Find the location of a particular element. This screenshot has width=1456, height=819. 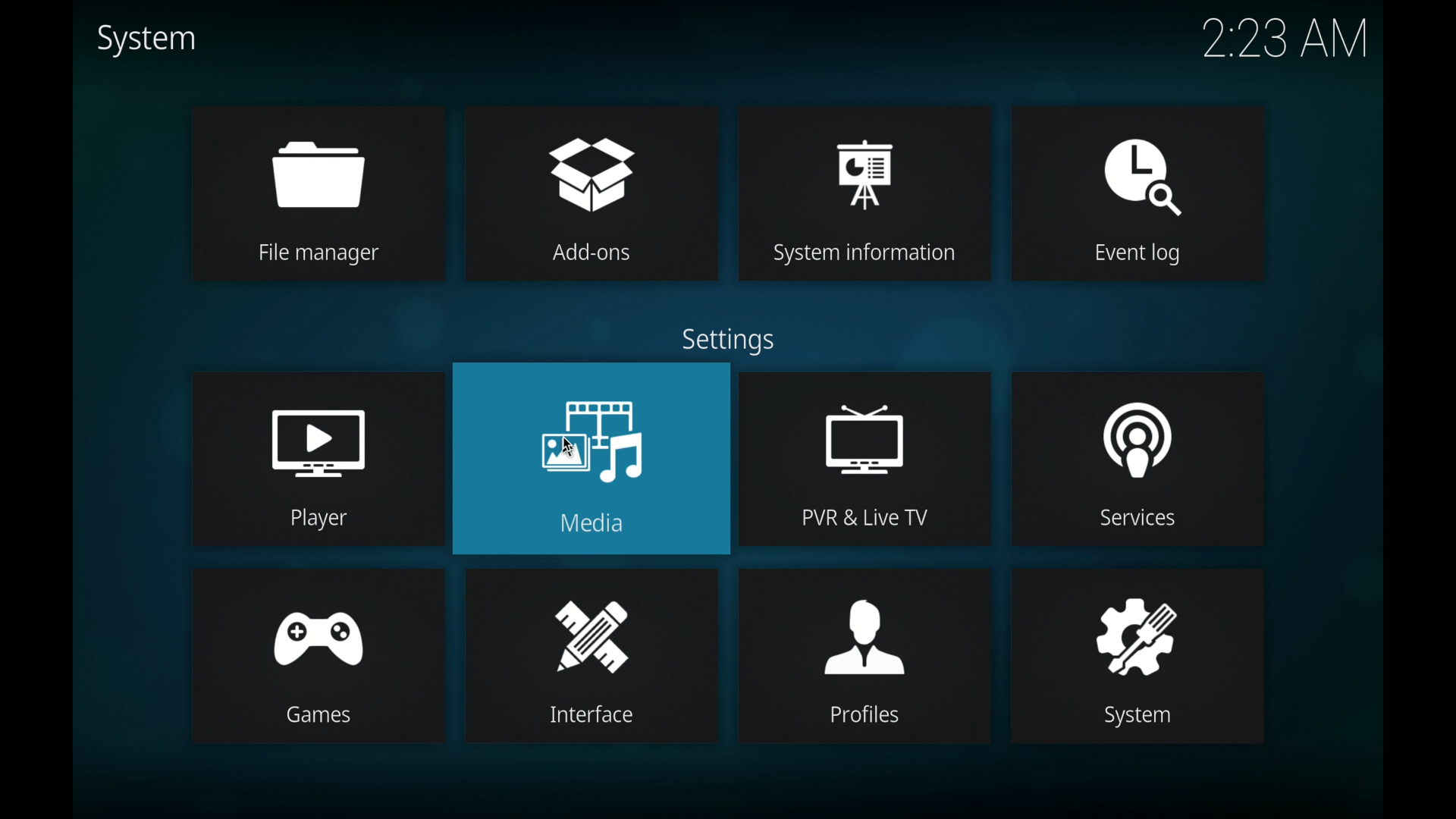

pvr and live tv is located at coordinates (868, 424).